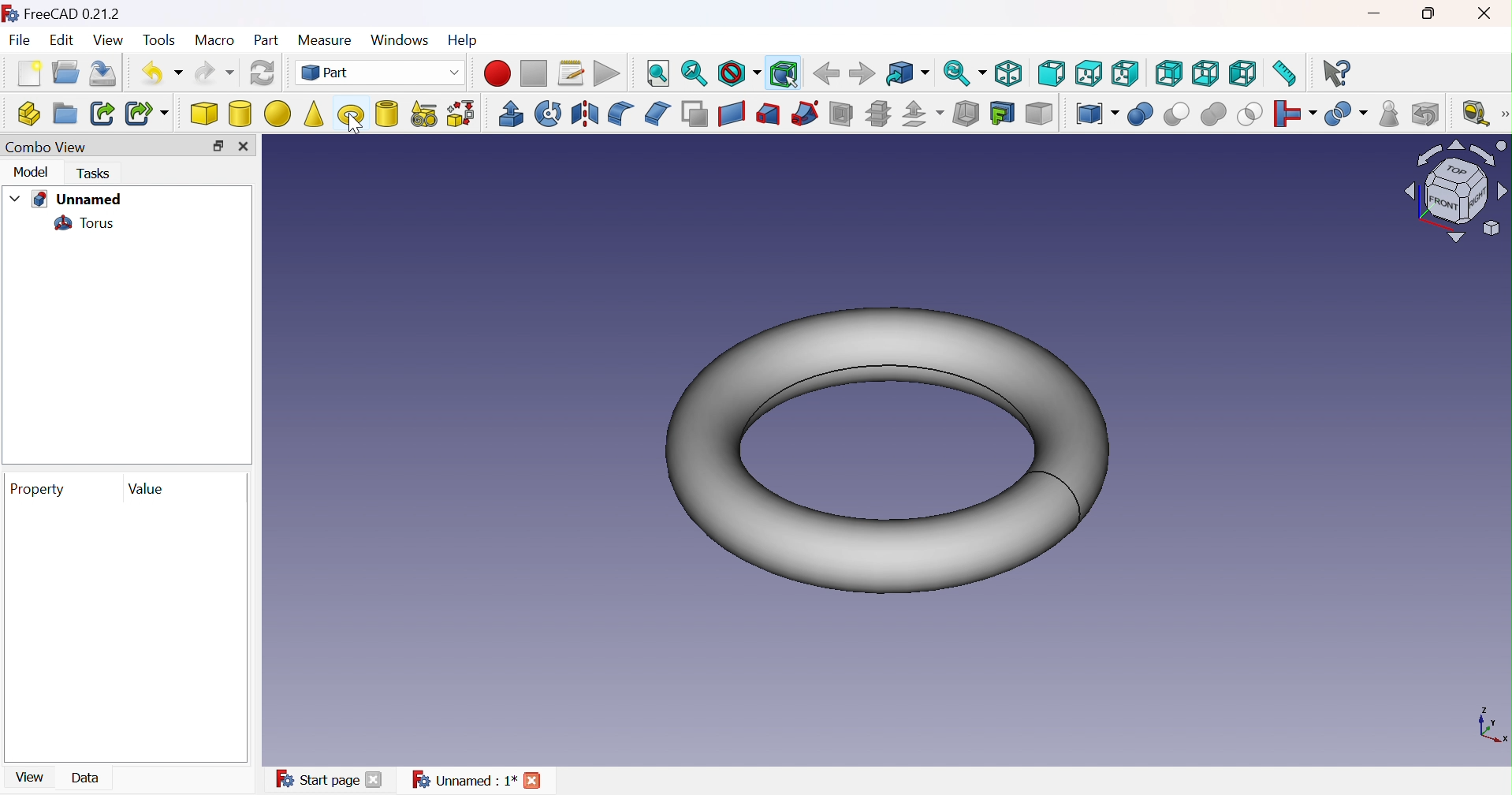 This screenshot has height=795, width=1512. I want to click on Sweep, so click(805, 112).